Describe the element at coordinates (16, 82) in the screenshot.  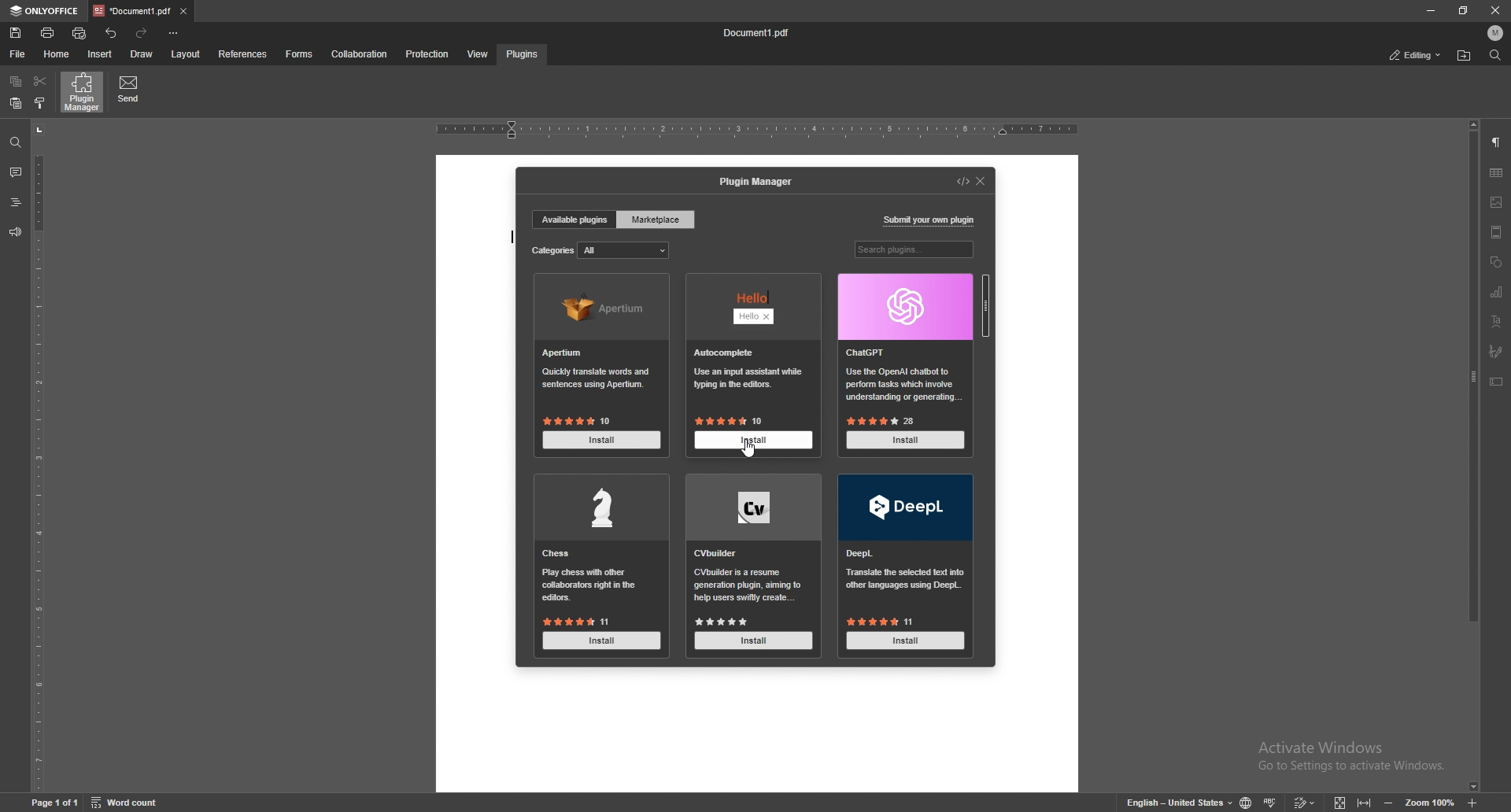
I see `copy` at that location.